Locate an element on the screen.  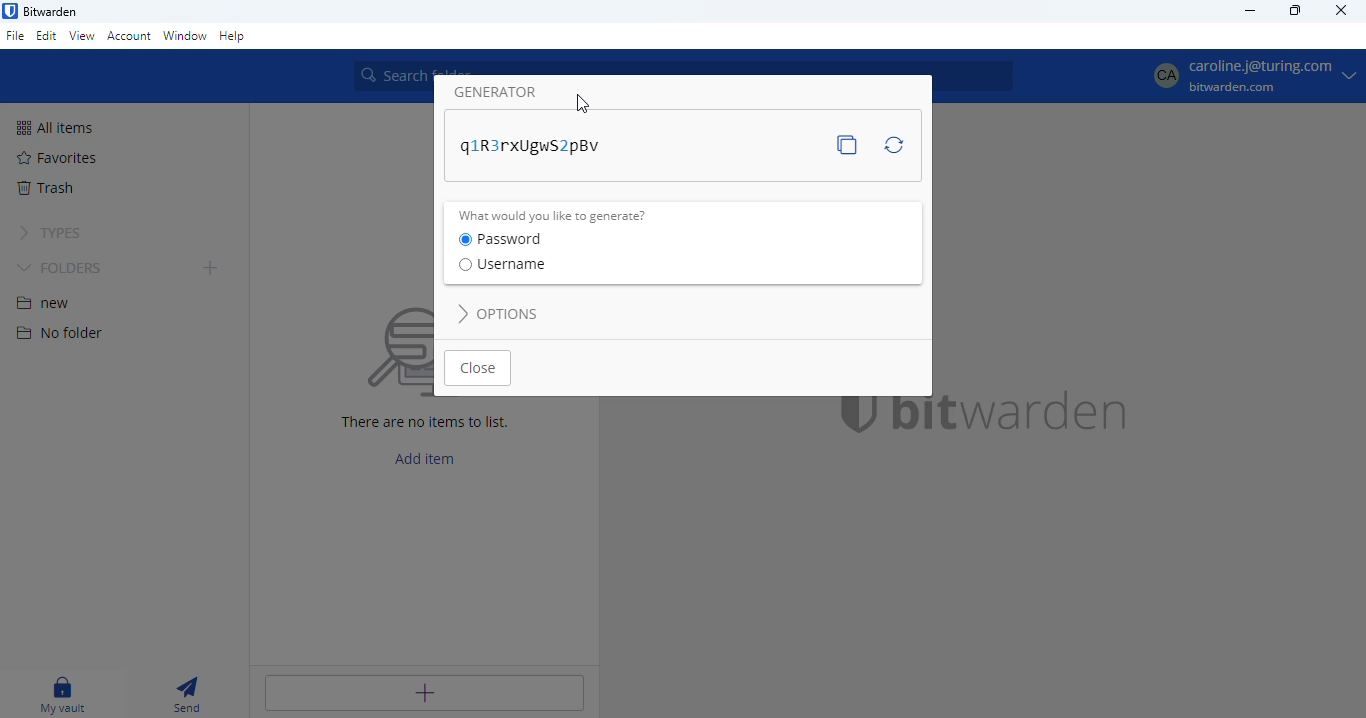
maximize is located at coordinates (1295, 10).